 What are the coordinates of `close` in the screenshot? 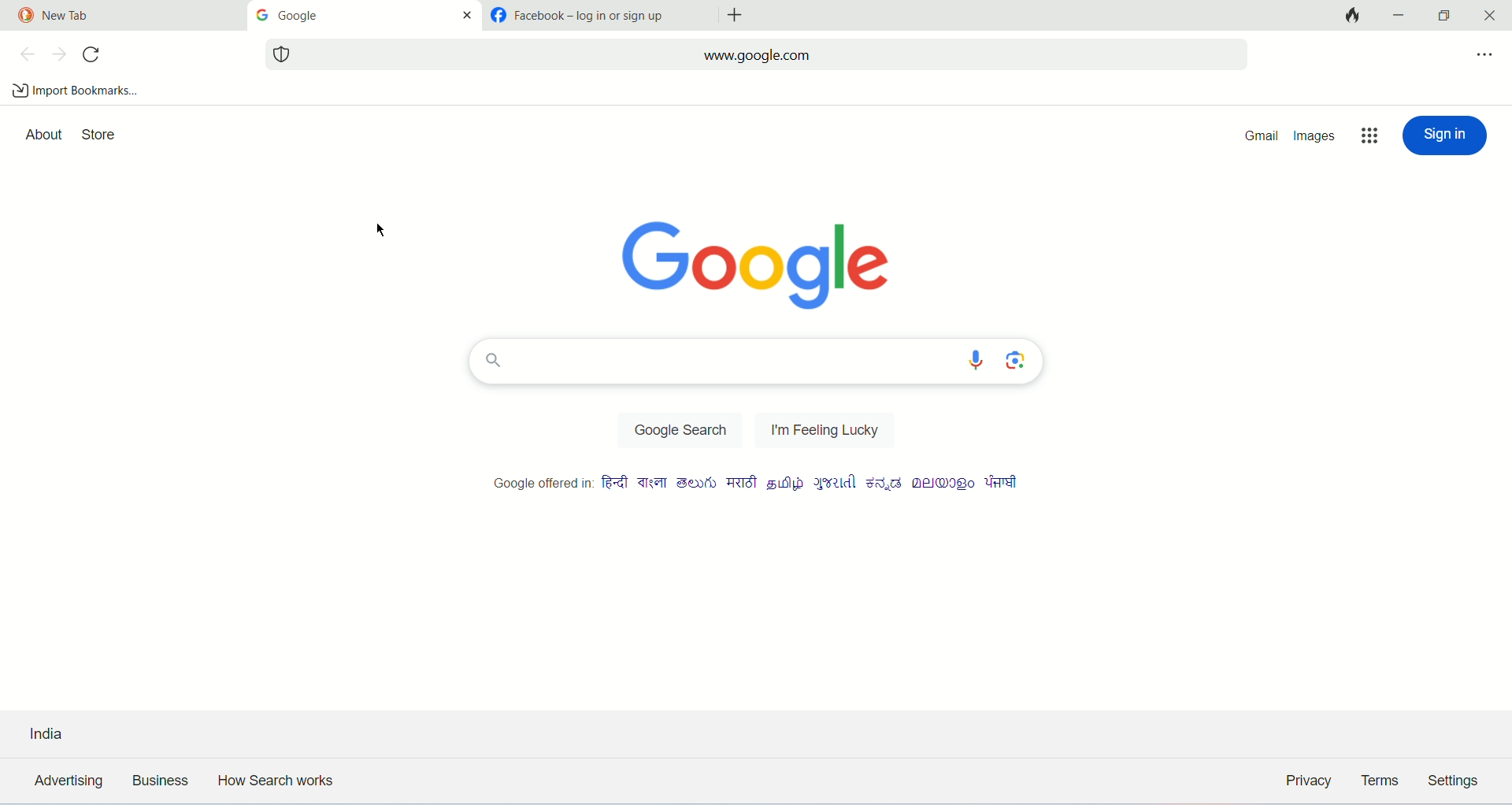 It's located at (1489, 15).